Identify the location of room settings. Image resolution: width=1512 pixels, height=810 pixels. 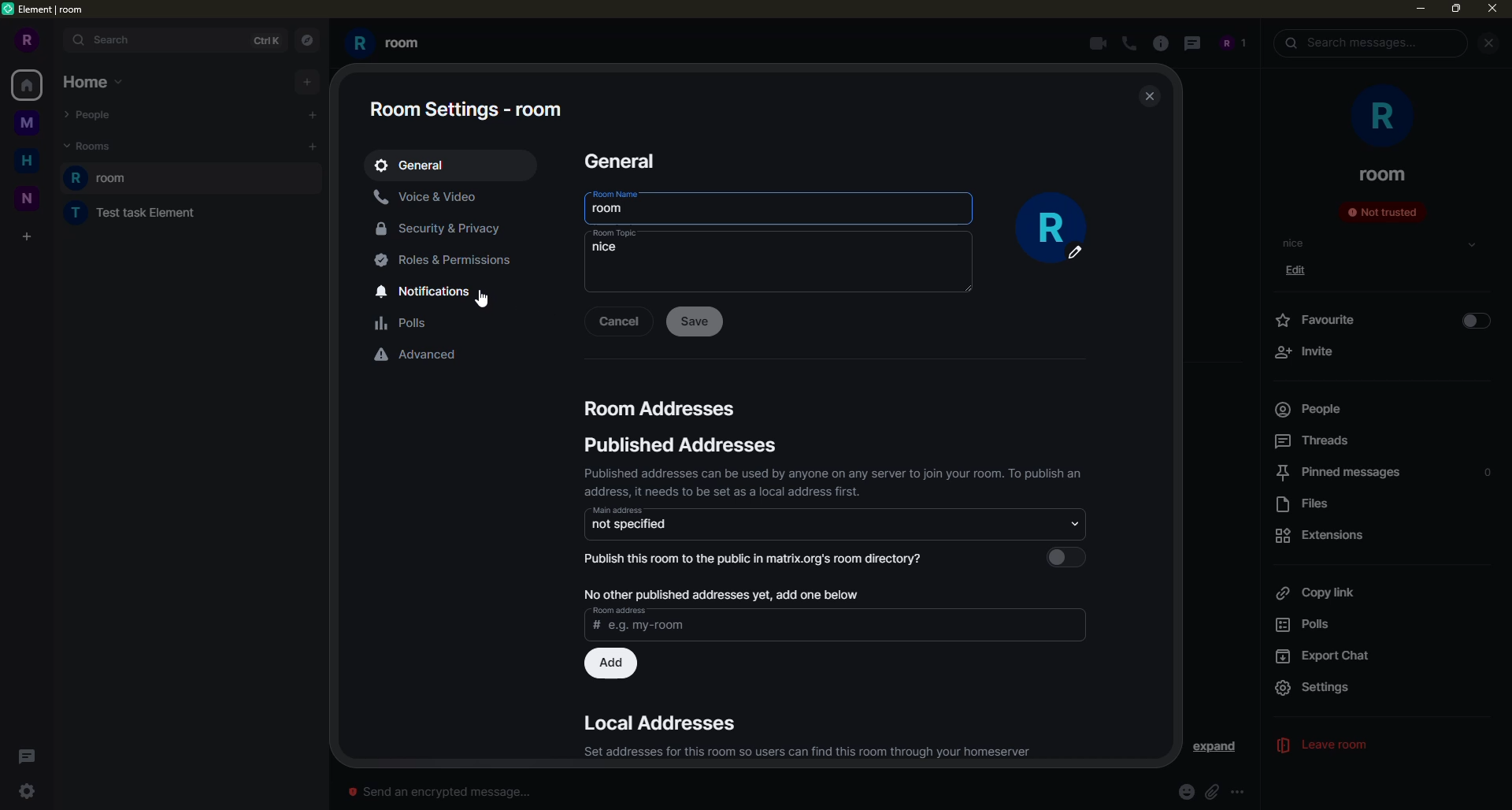
(465, 108).